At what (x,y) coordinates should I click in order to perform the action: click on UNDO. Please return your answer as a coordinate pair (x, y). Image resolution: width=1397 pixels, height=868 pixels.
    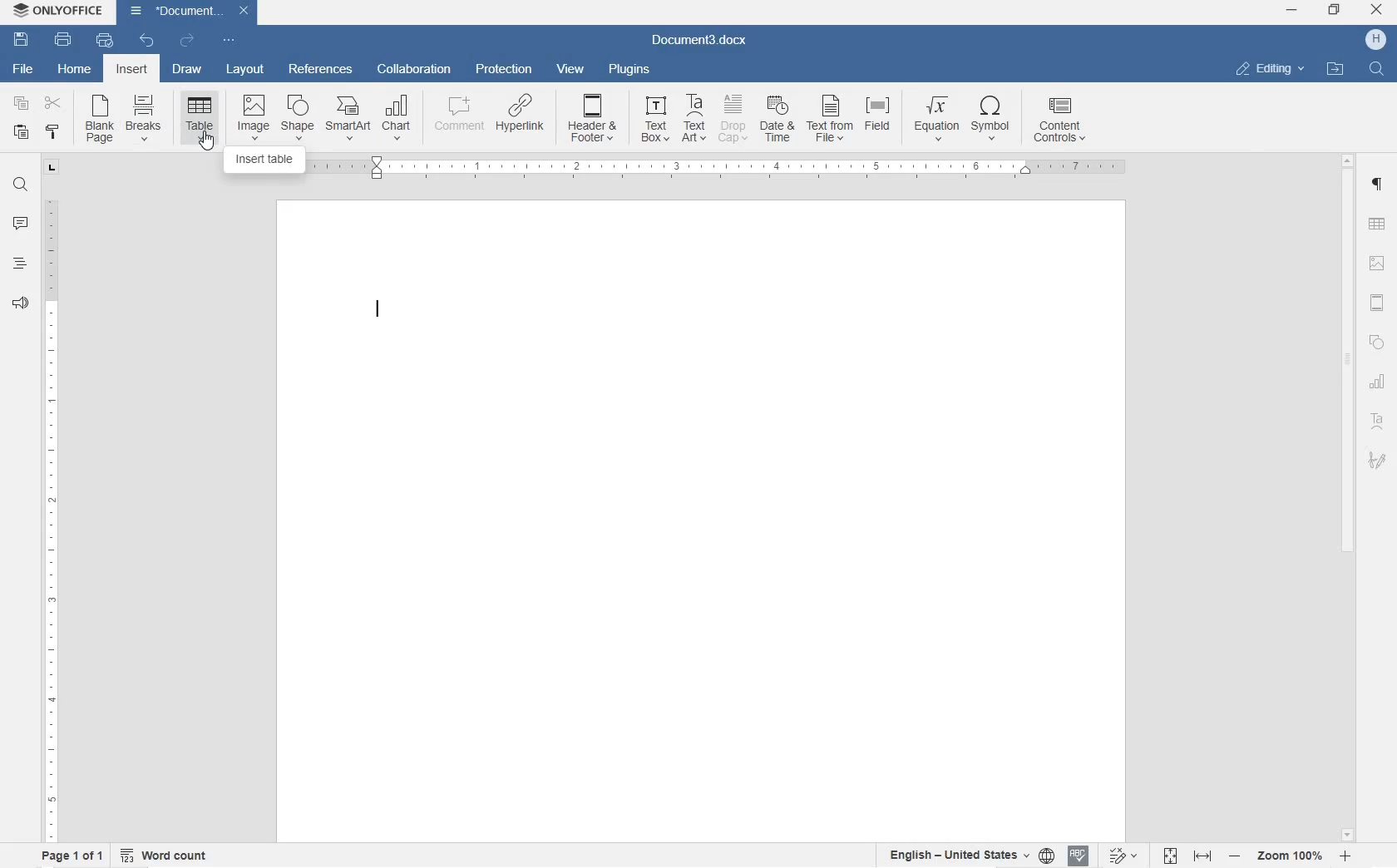
    Looking at the image, I should click on (147, 42).